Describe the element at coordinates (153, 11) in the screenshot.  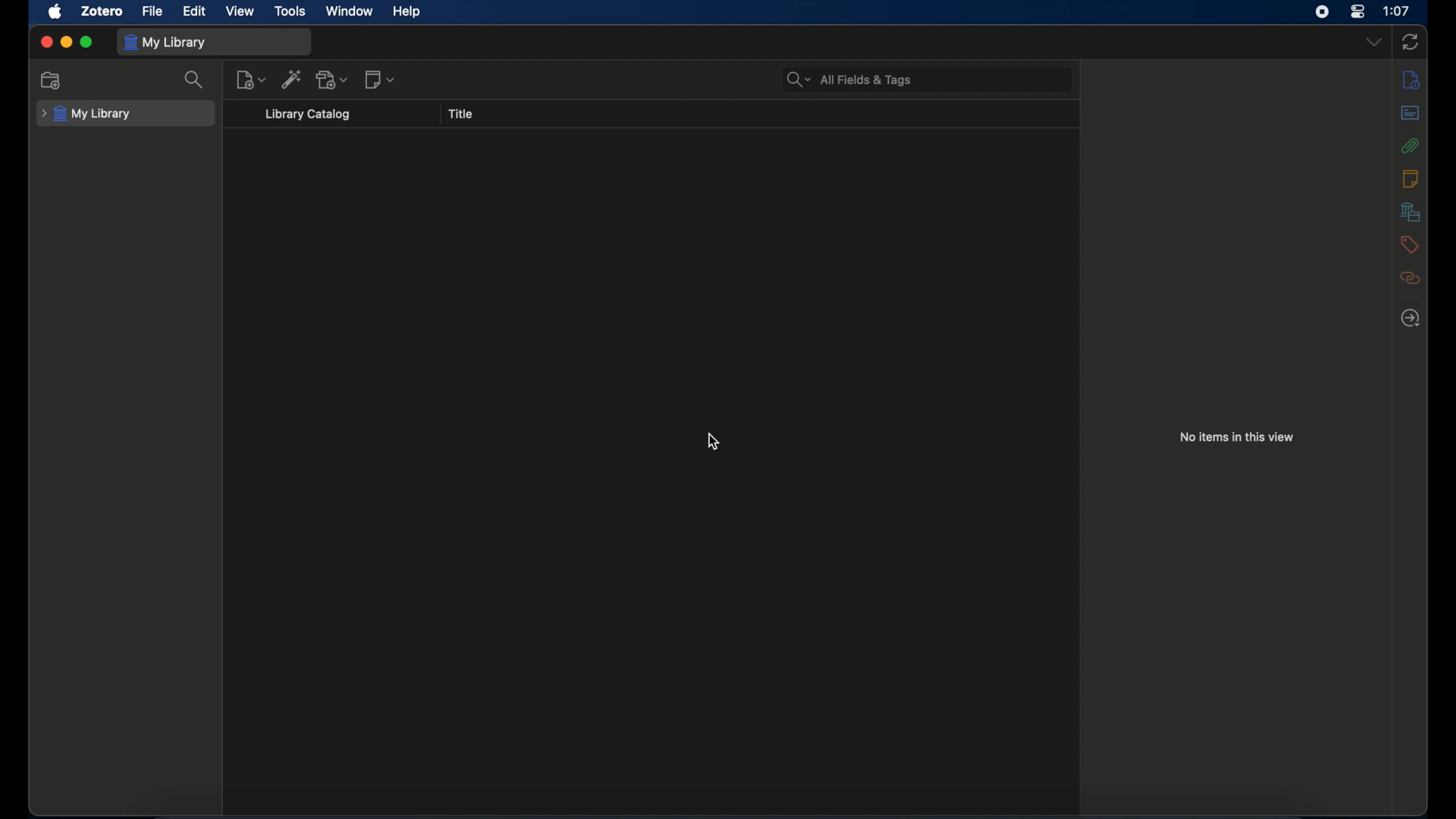
I see `file` at that location.